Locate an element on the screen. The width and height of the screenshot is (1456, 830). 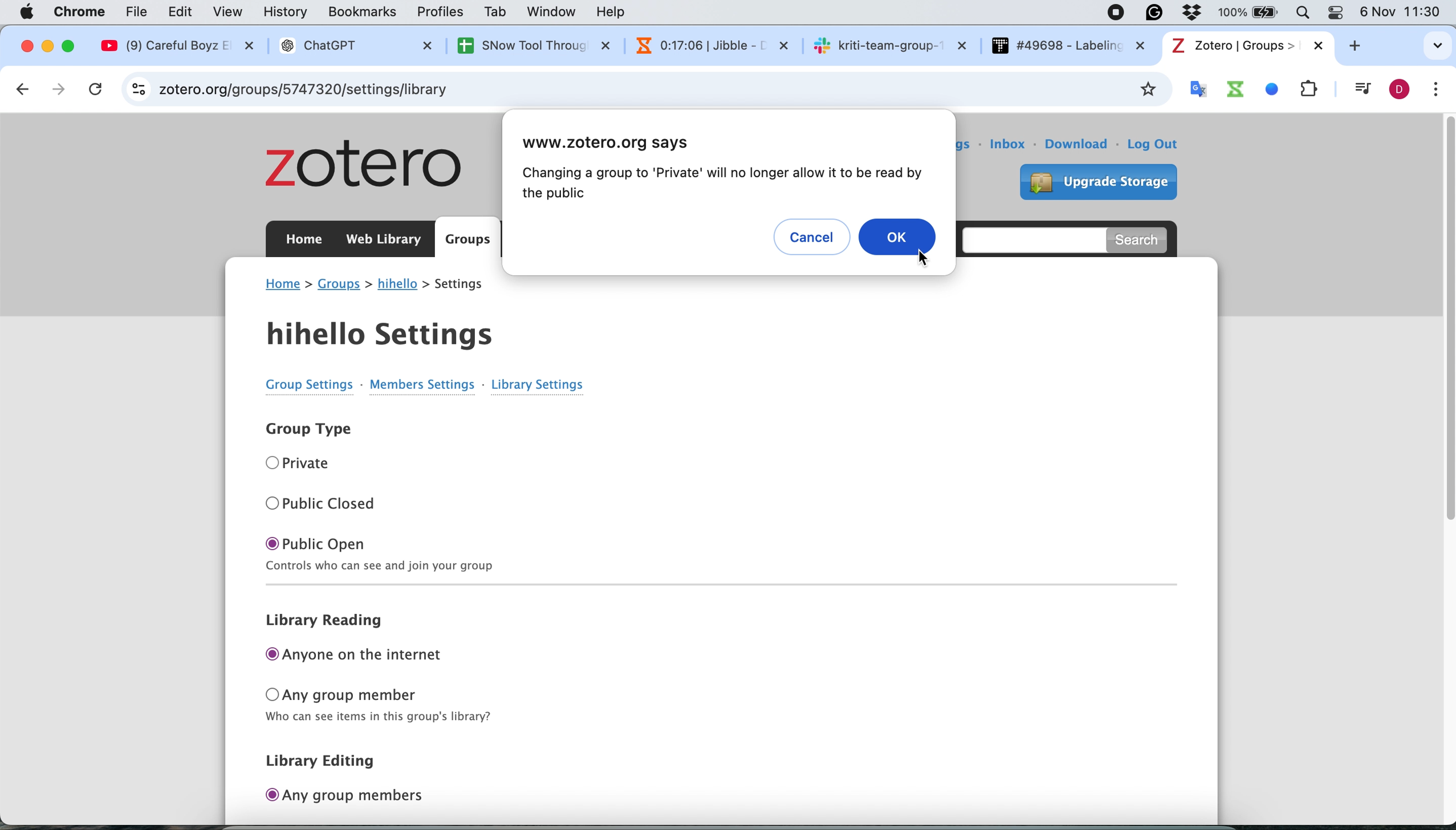
Battery percentage is located at coordinates (1250, 13).